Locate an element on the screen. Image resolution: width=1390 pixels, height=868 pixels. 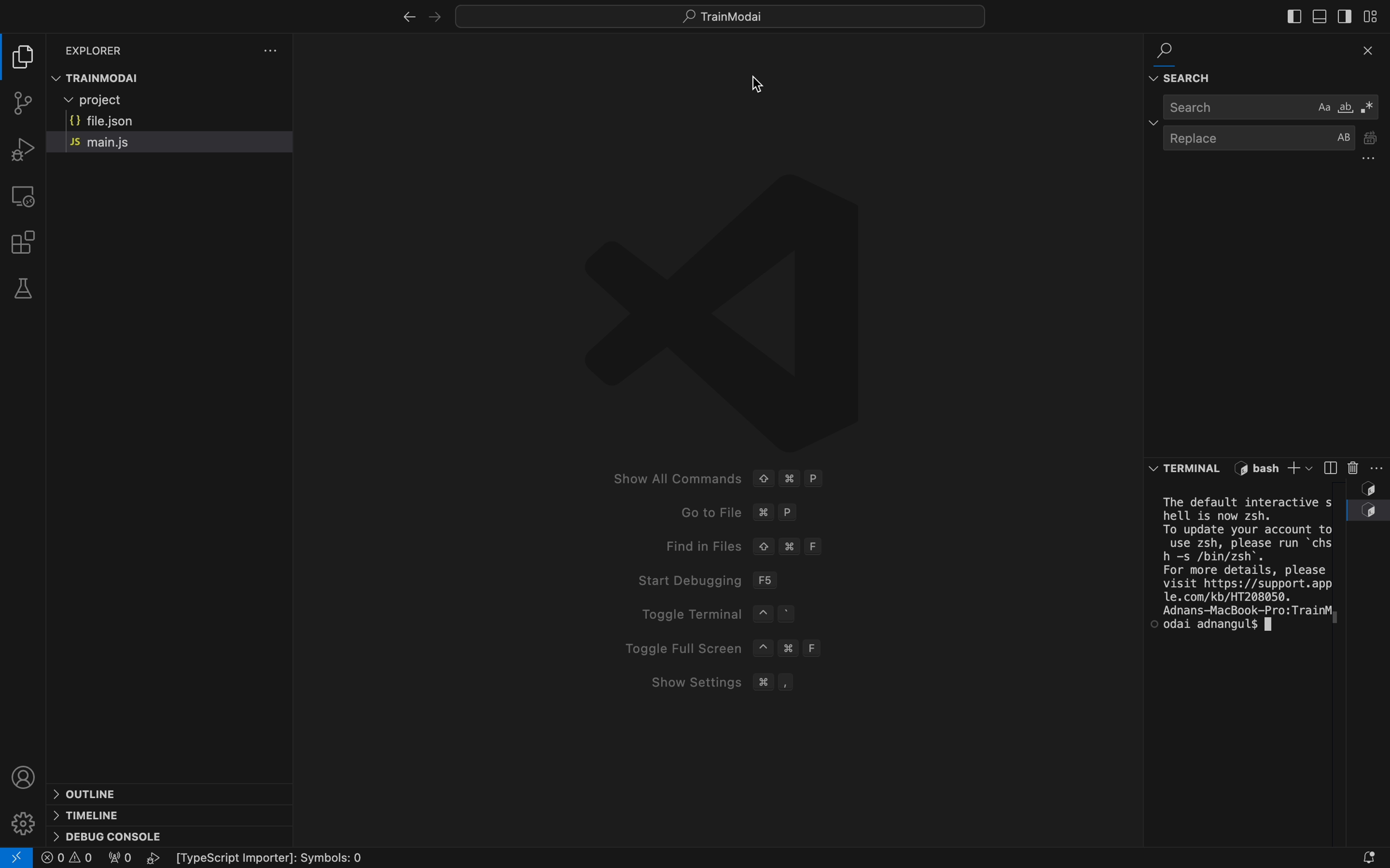
profile is located at coordinates (23, 773).